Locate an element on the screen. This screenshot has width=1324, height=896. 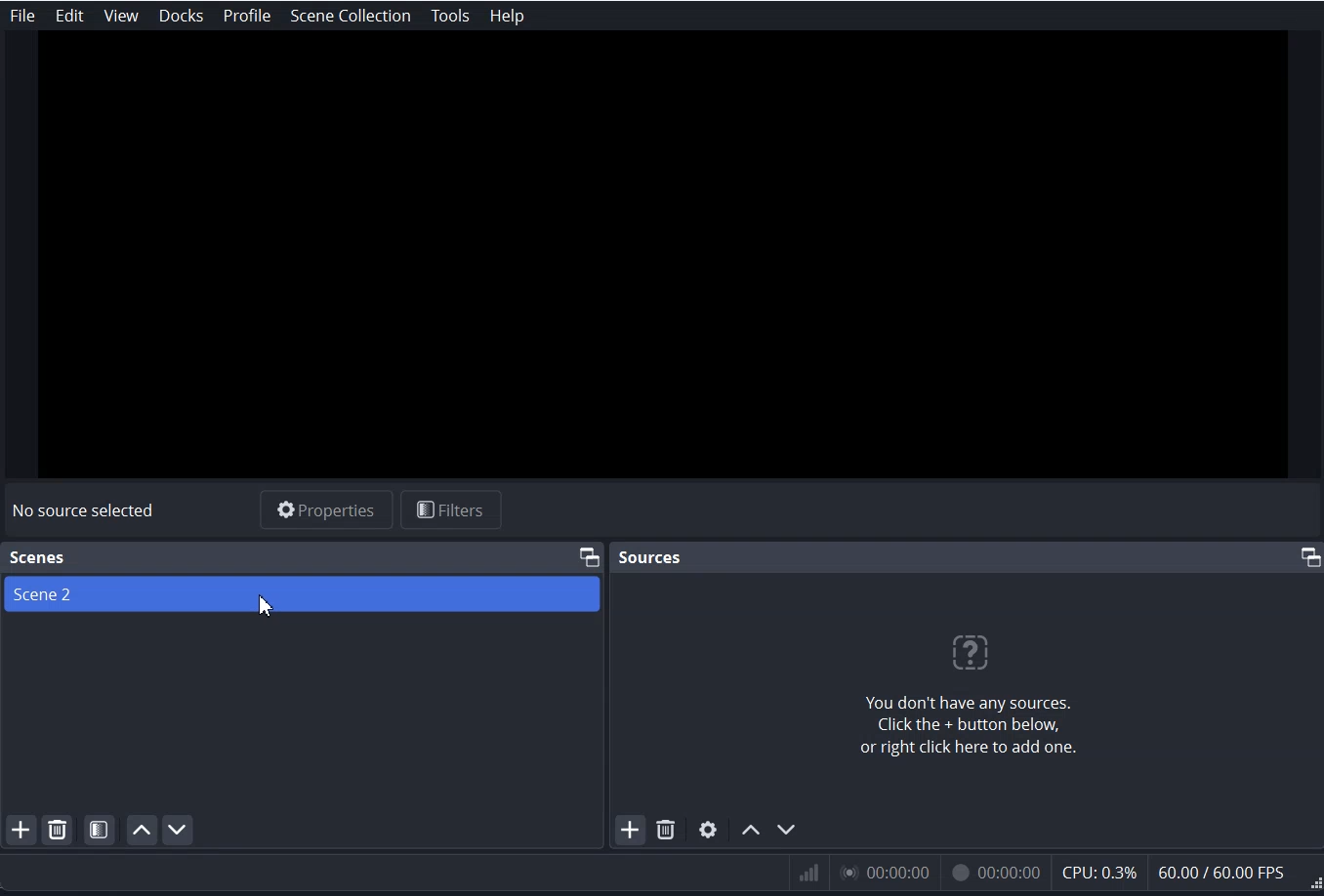
Move Source Up is located at coordinates (752, 829).